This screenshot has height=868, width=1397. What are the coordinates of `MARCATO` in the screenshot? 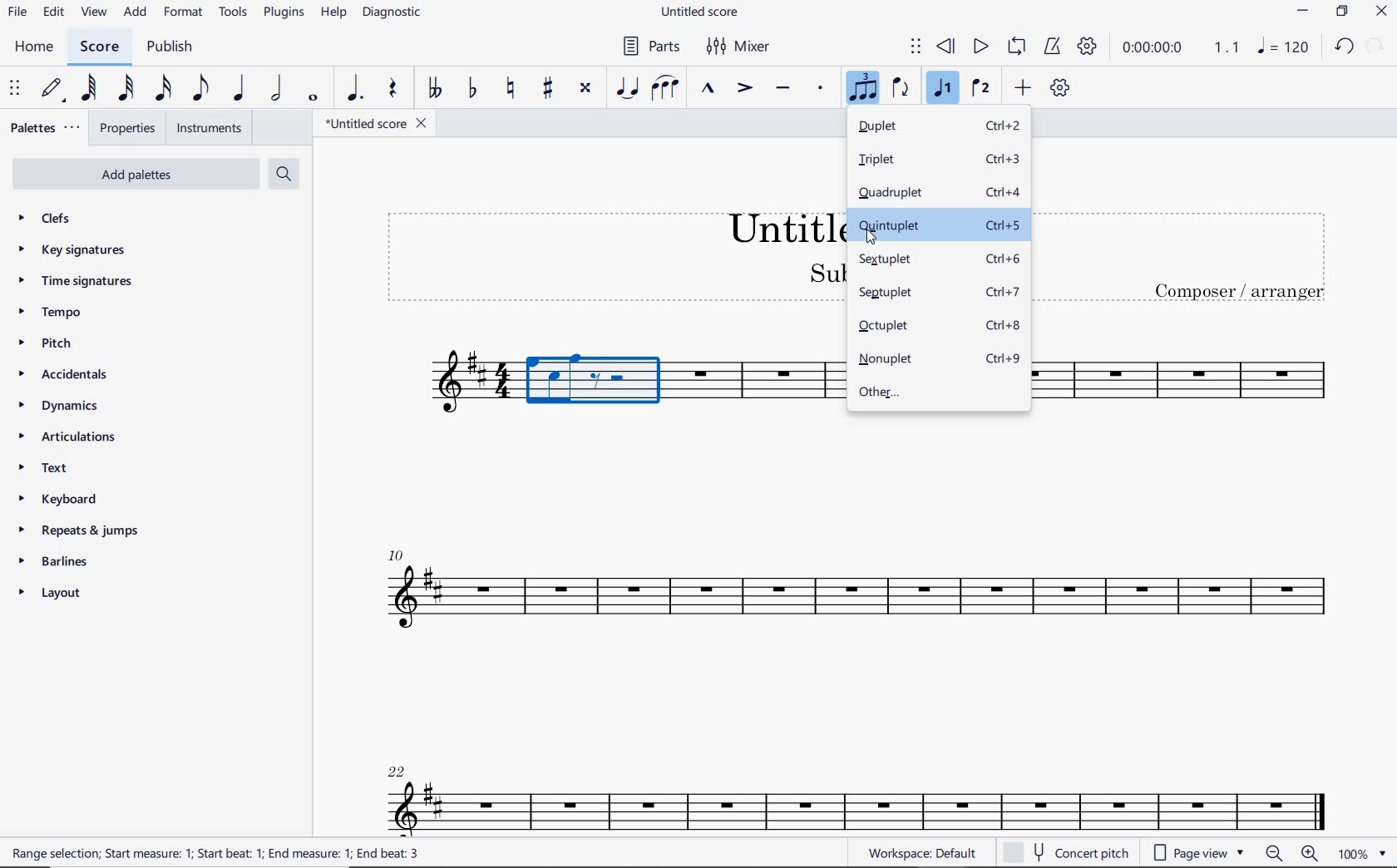 It's located at (708, 91).